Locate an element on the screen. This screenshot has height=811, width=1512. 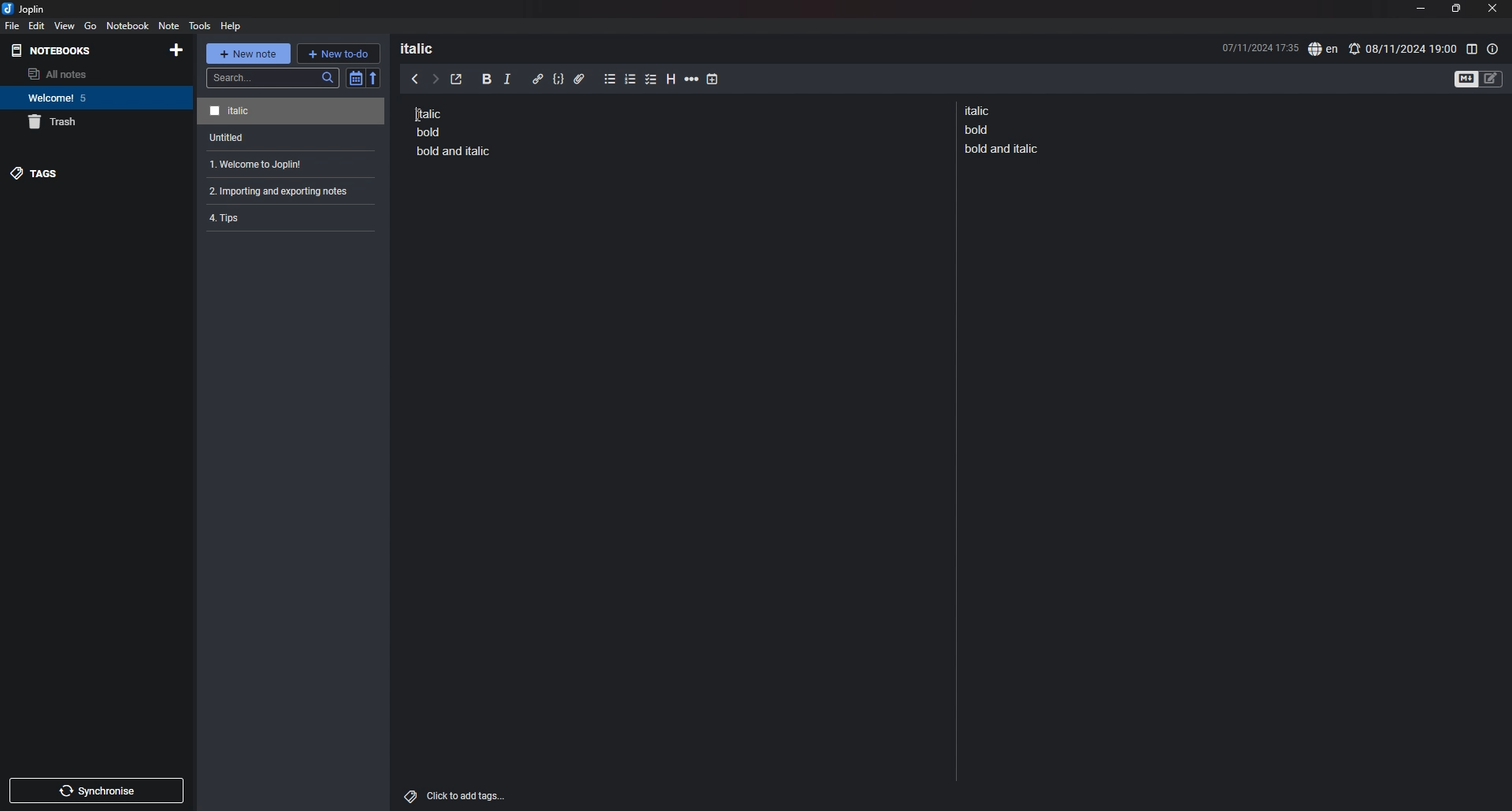
spell check is located at coordinates (1323, 50).